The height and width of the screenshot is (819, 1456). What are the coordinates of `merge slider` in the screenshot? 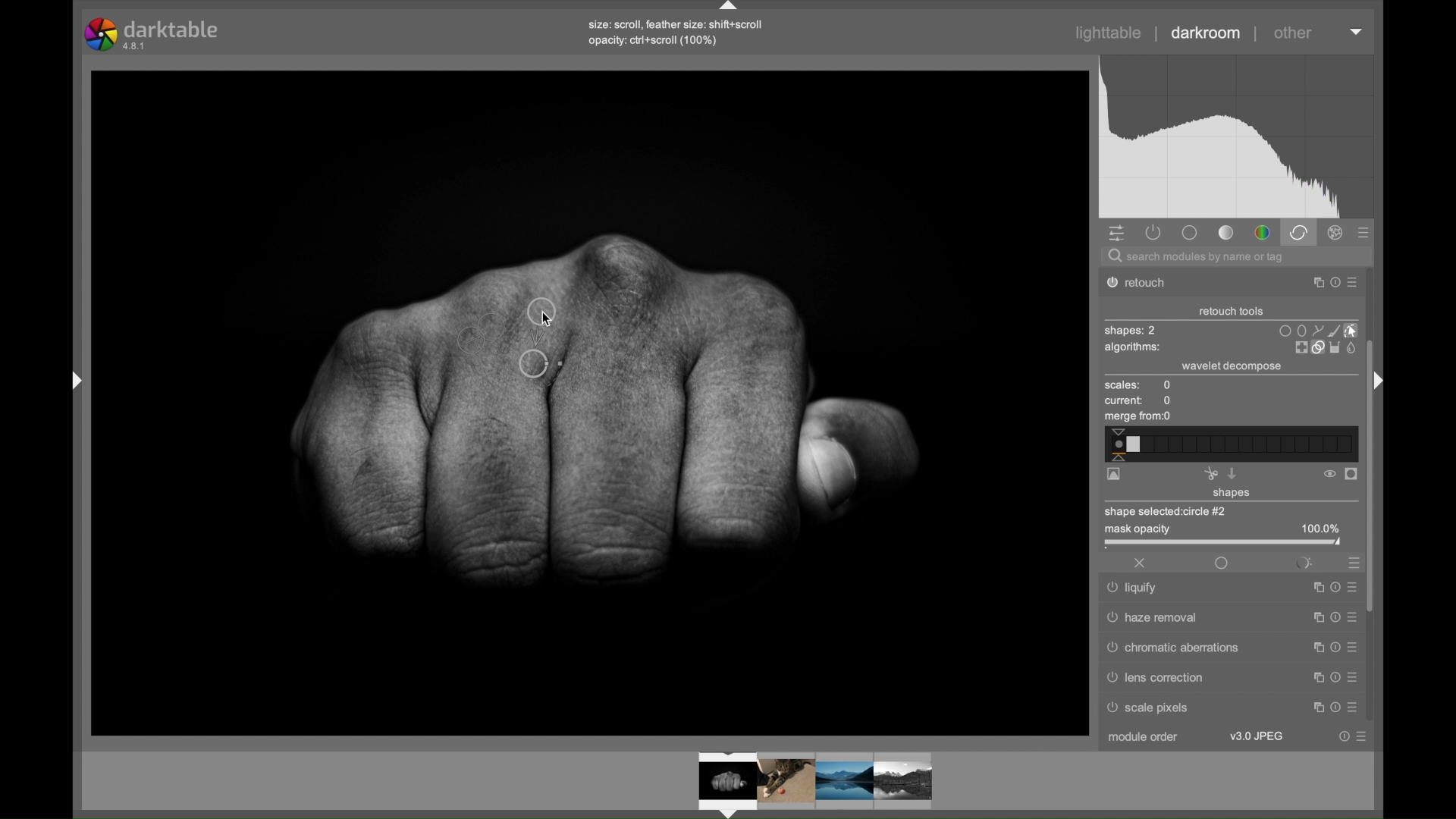 It's located at (1229, 444).